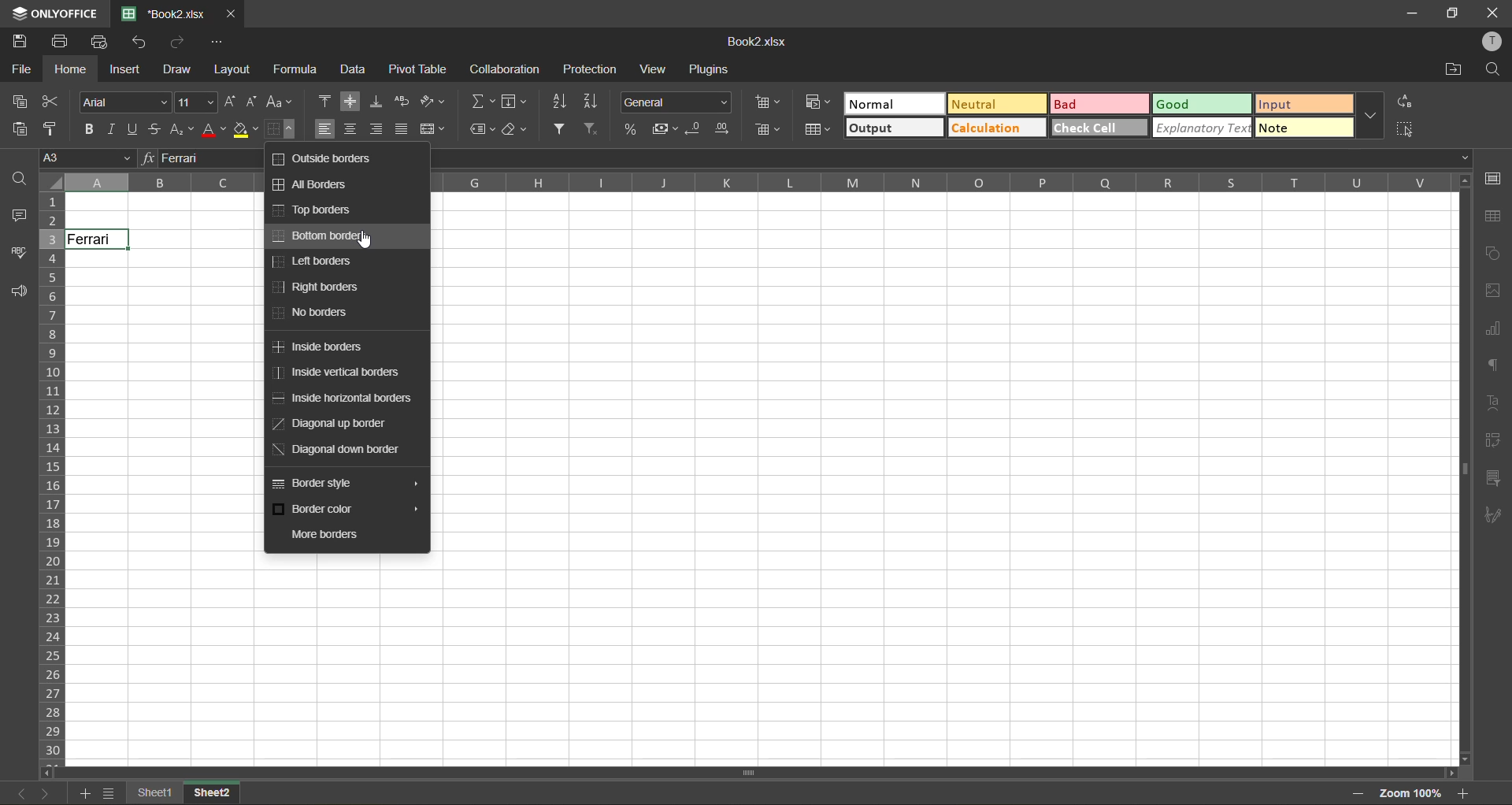 The height and width of the screenshot is (805, 1512). Describe the element at coordinates (378, 128) in the screenshot. I see `align right` at that location.